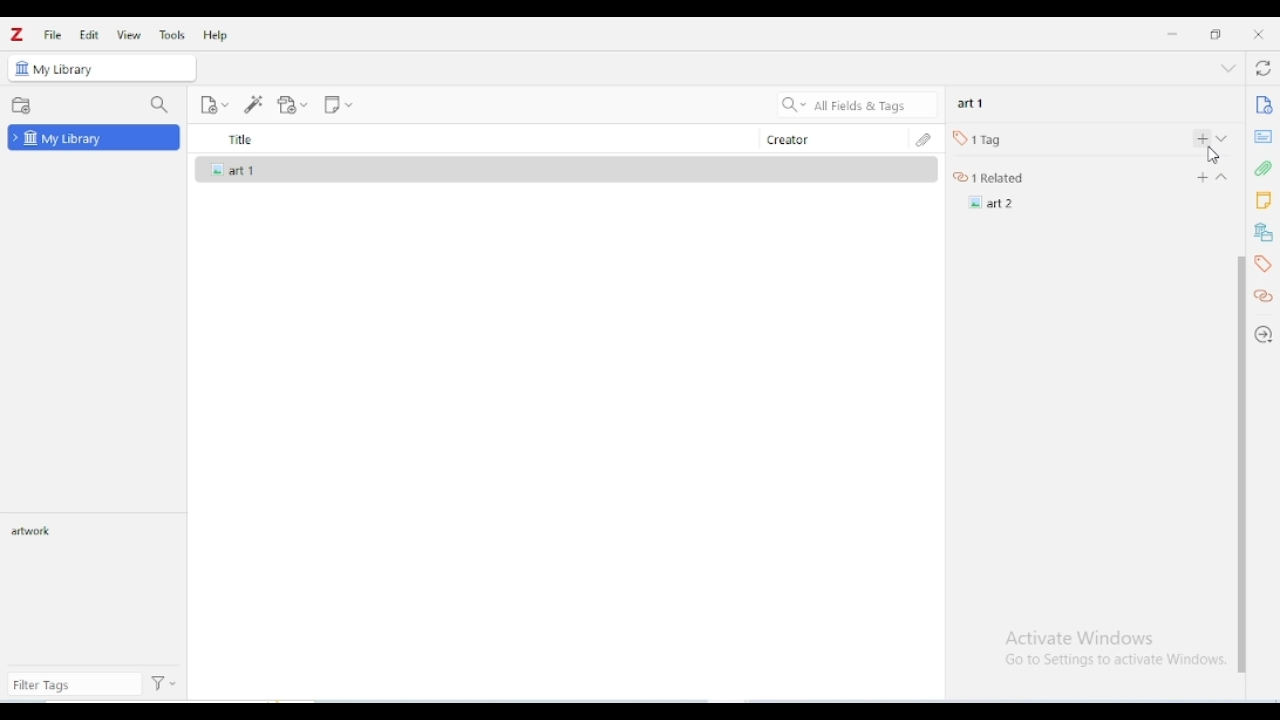  Describe the element at coordinates (35, 532) in the screenshot. I see `artwork` at that location.